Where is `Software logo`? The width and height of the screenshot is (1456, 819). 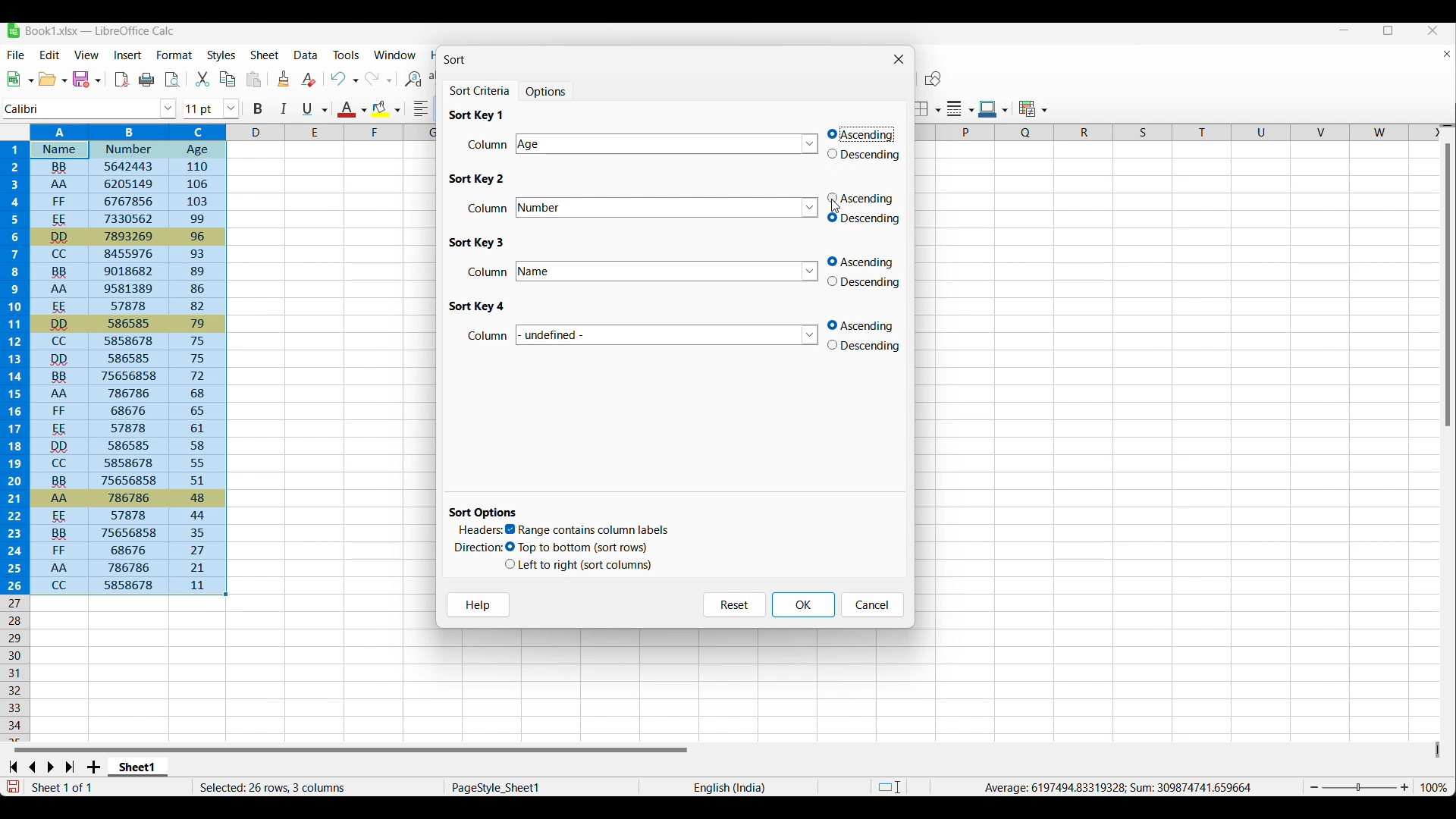
Software logo is located at coordinates (14, 30).